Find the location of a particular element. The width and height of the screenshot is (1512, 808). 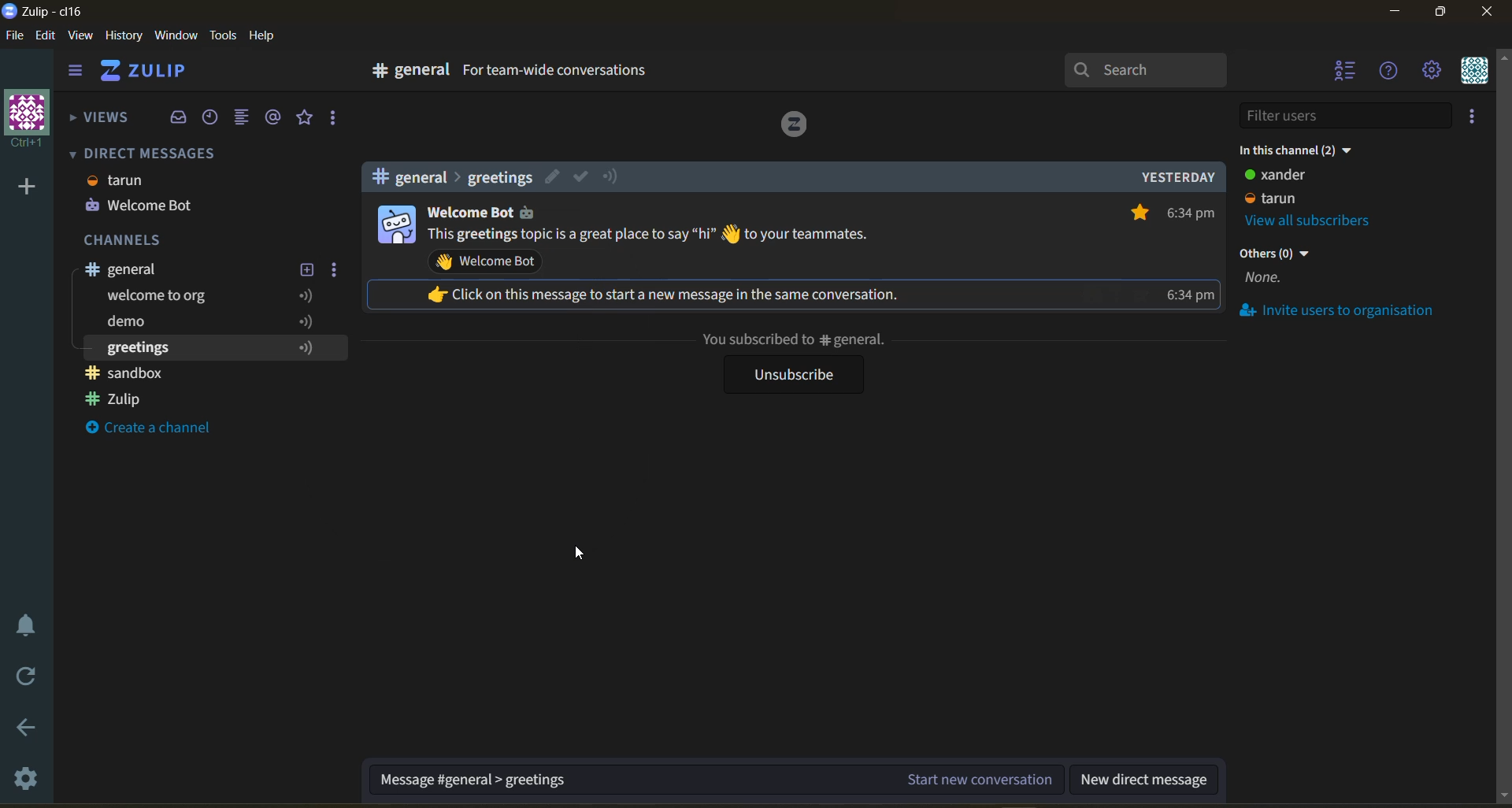

home view is located at coordinates (147, 72).